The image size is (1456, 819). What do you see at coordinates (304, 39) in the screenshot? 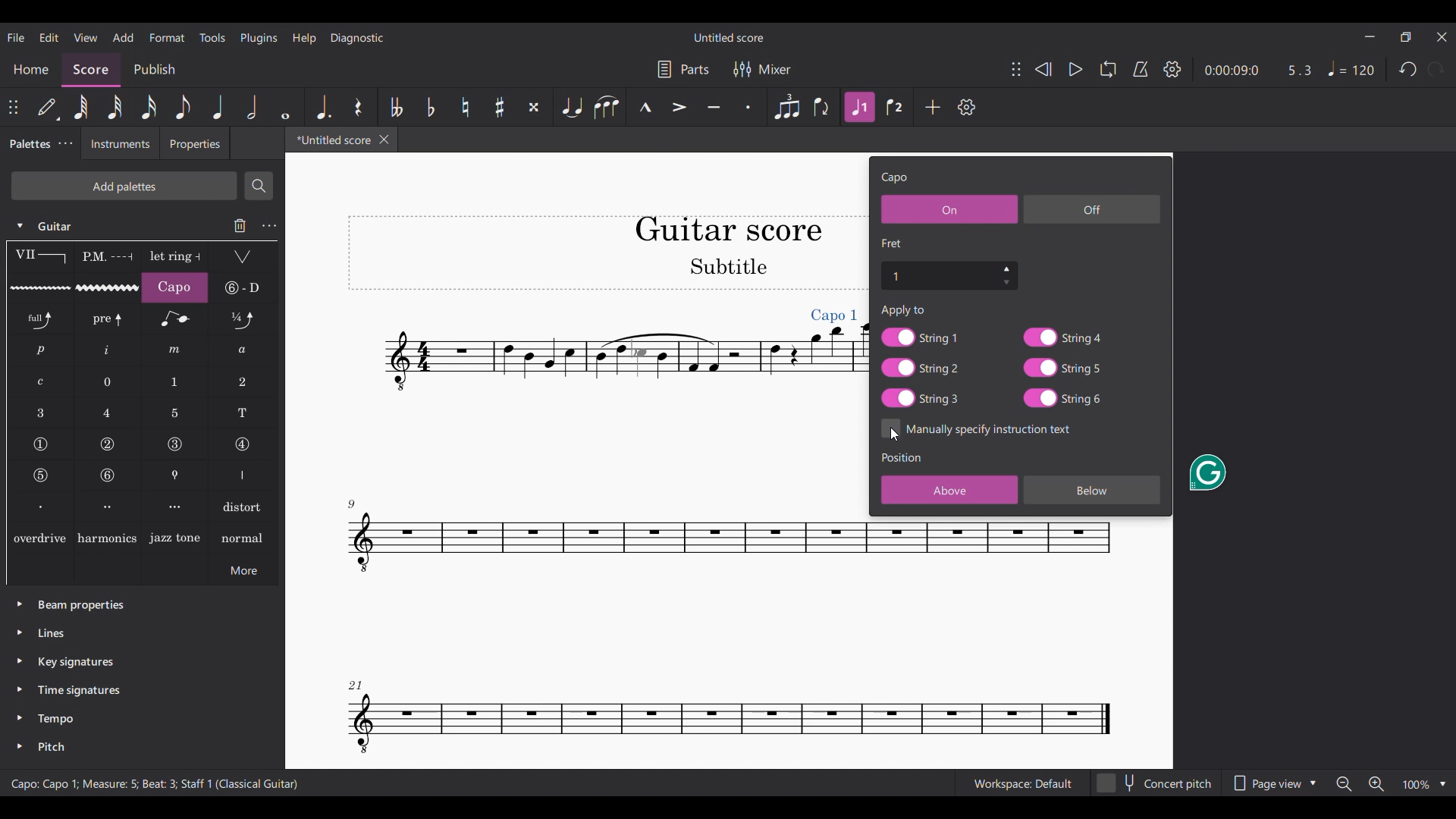
I see `Help menu` at bounding box center [304, 39].